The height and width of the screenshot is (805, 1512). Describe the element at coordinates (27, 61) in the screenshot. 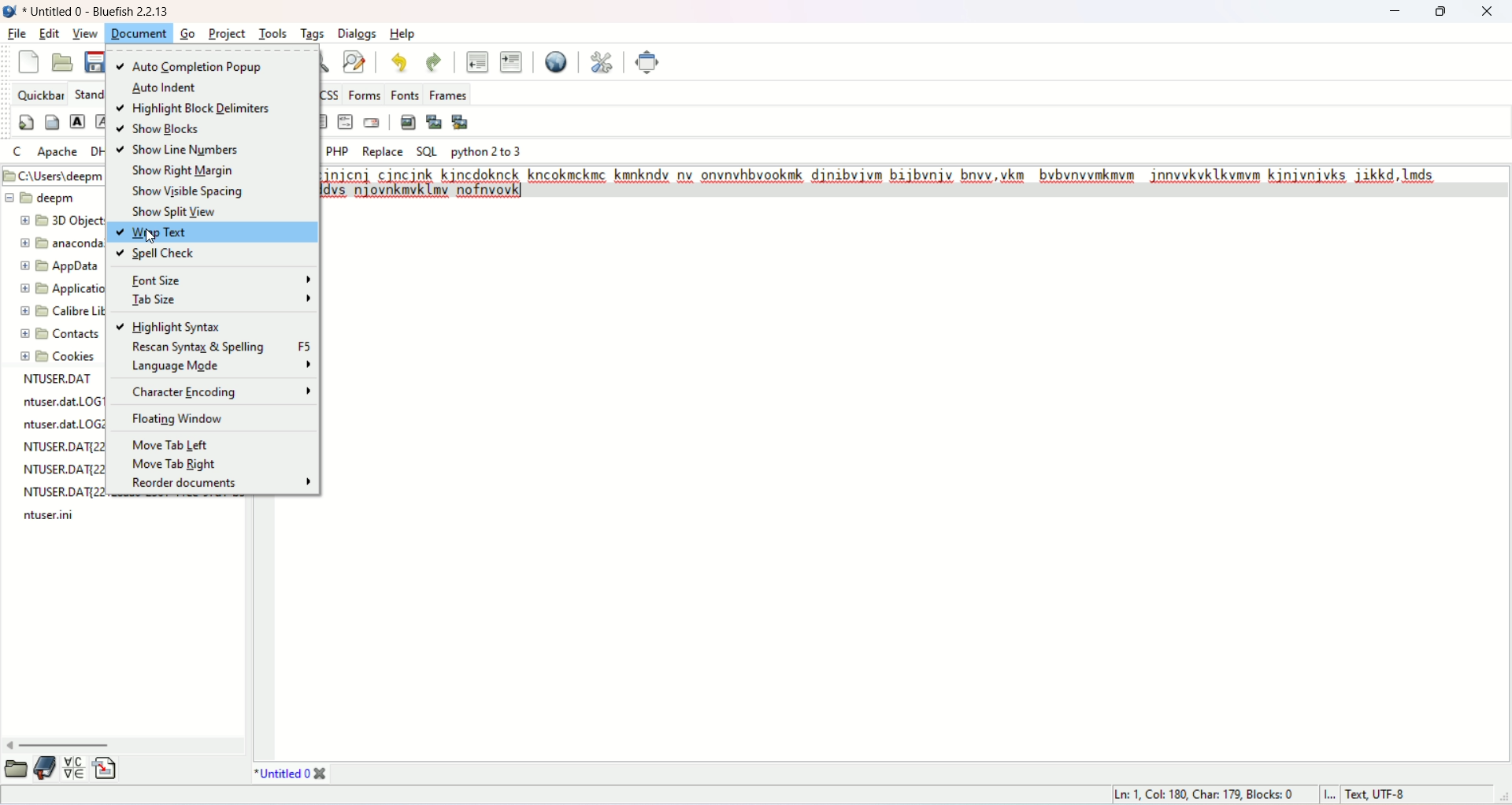

I see `new` at that location.